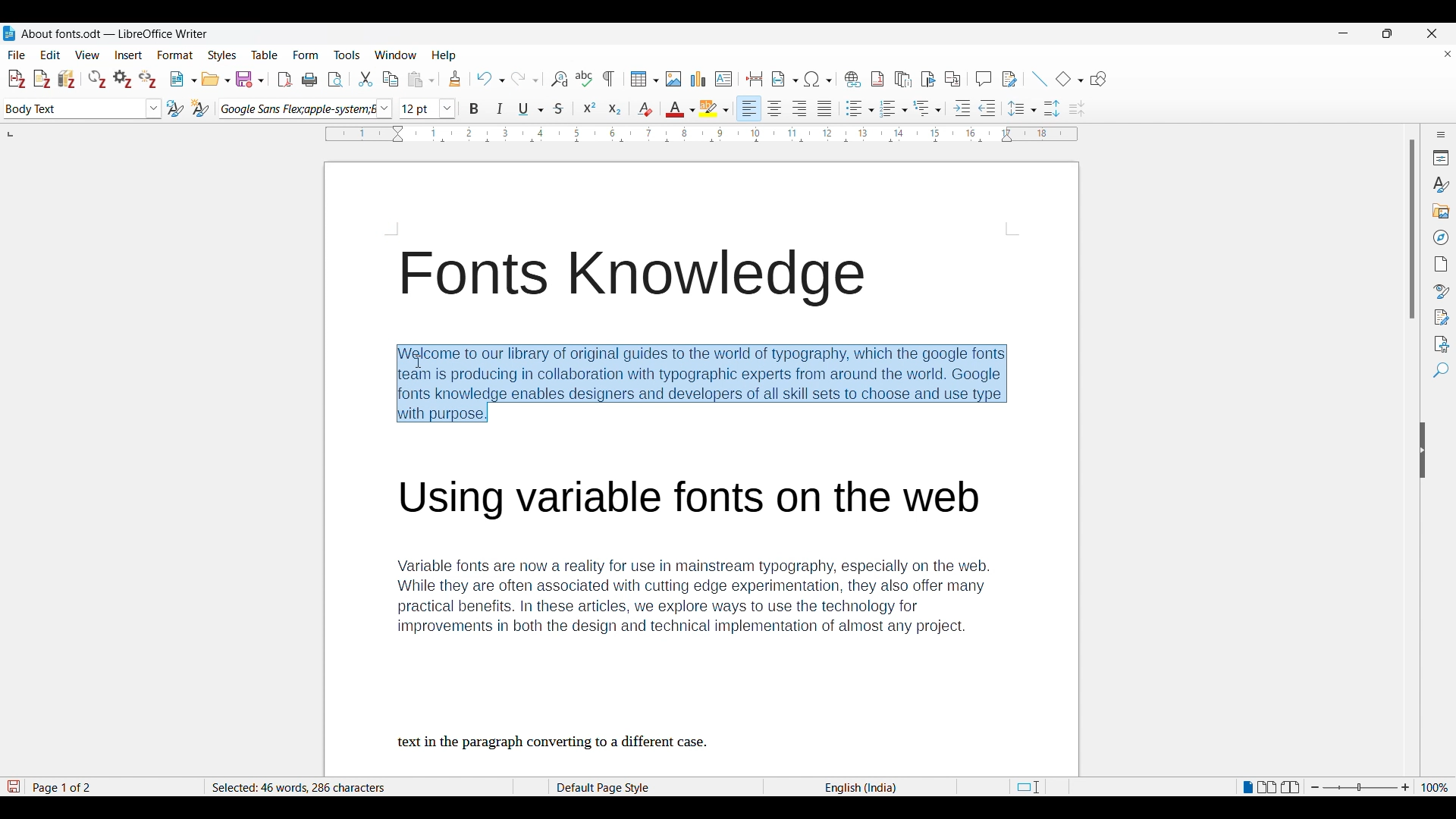  I want to click on Insert hyperlink, so click(852, 79).